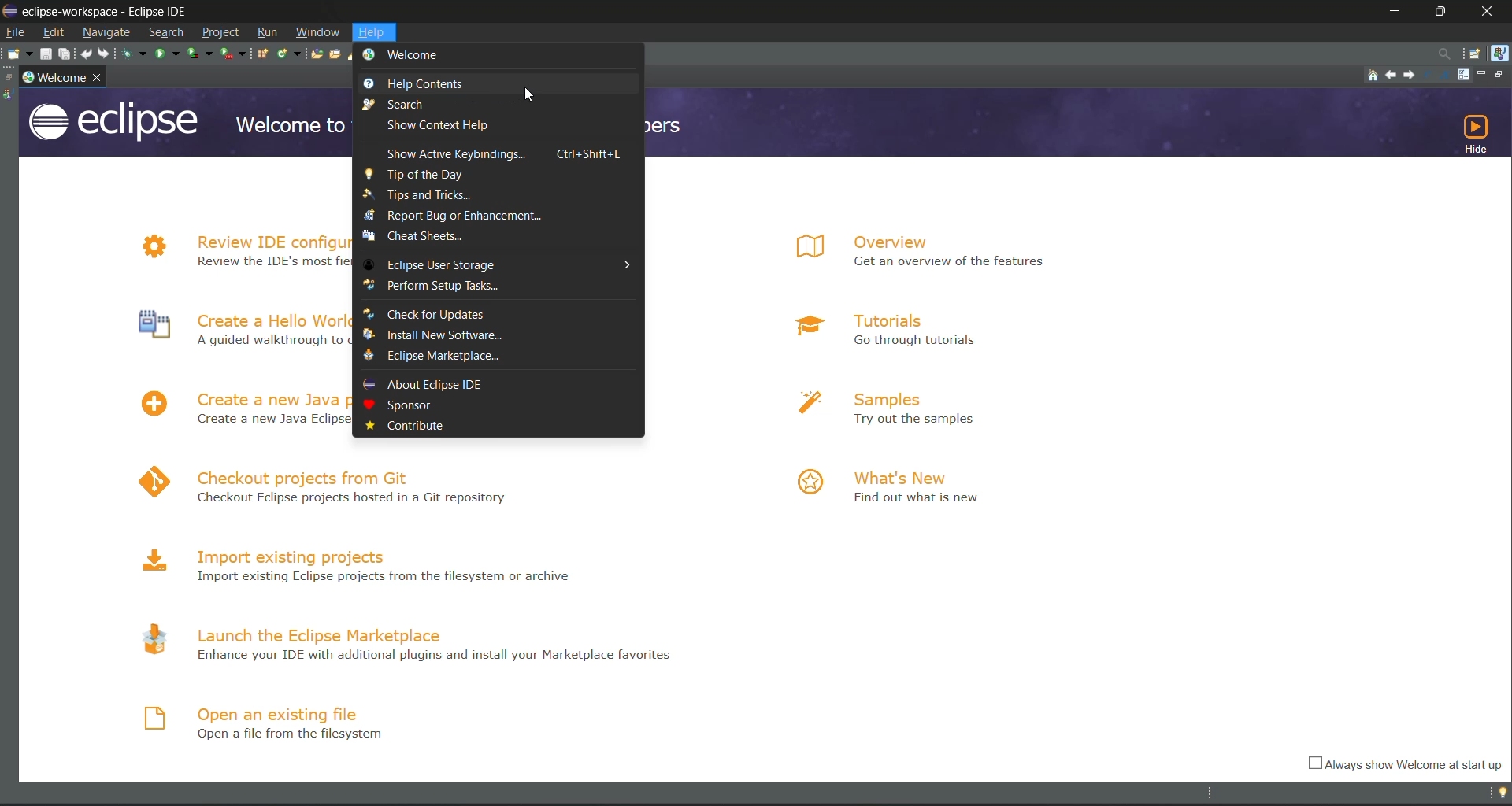  Describe the element at coordinates (932, 237) in the screenshot. I see `overview` at that location.